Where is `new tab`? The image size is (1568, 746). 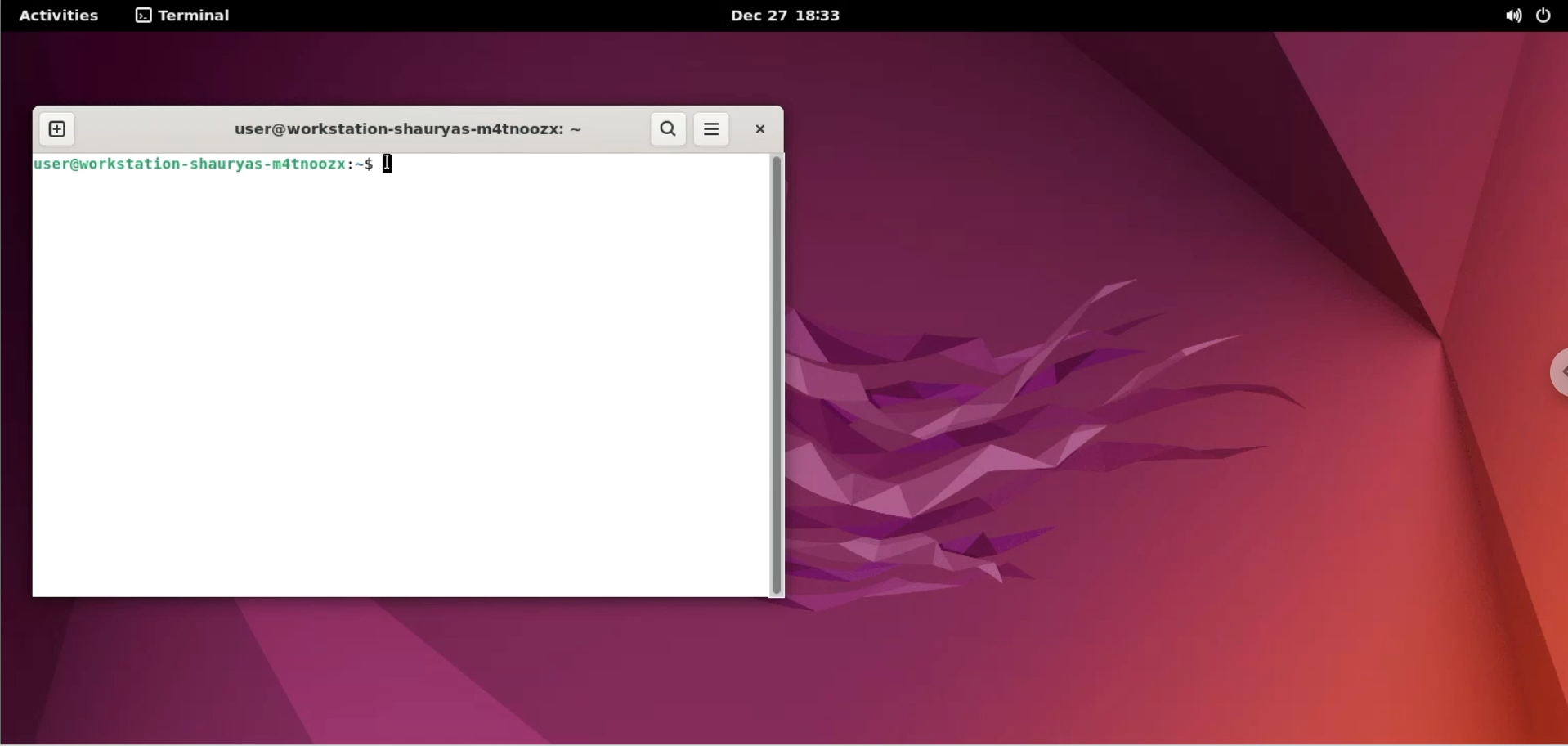
new tab is located at coordinates (56, 128).